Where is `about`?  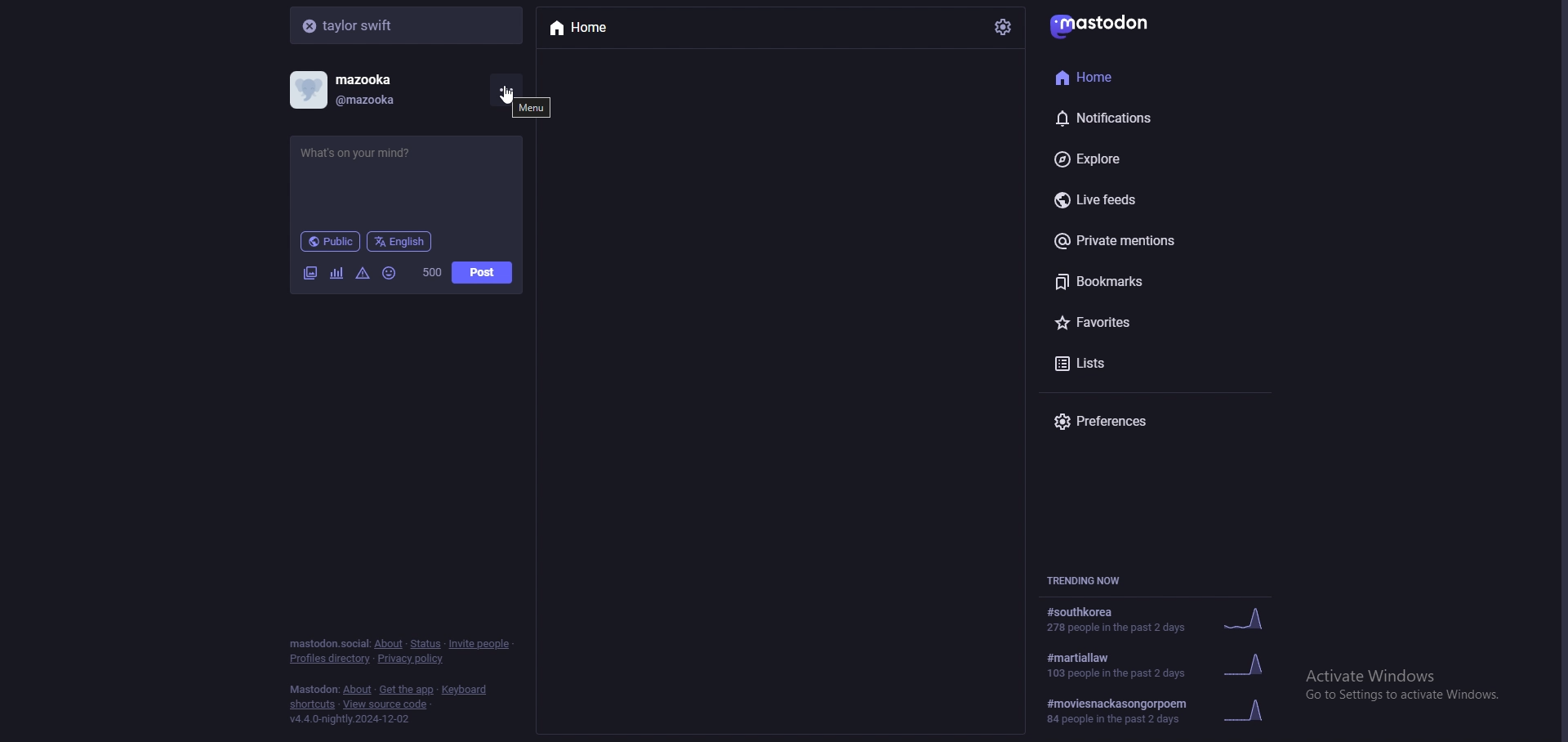 about is located at coordinates (390, 644).